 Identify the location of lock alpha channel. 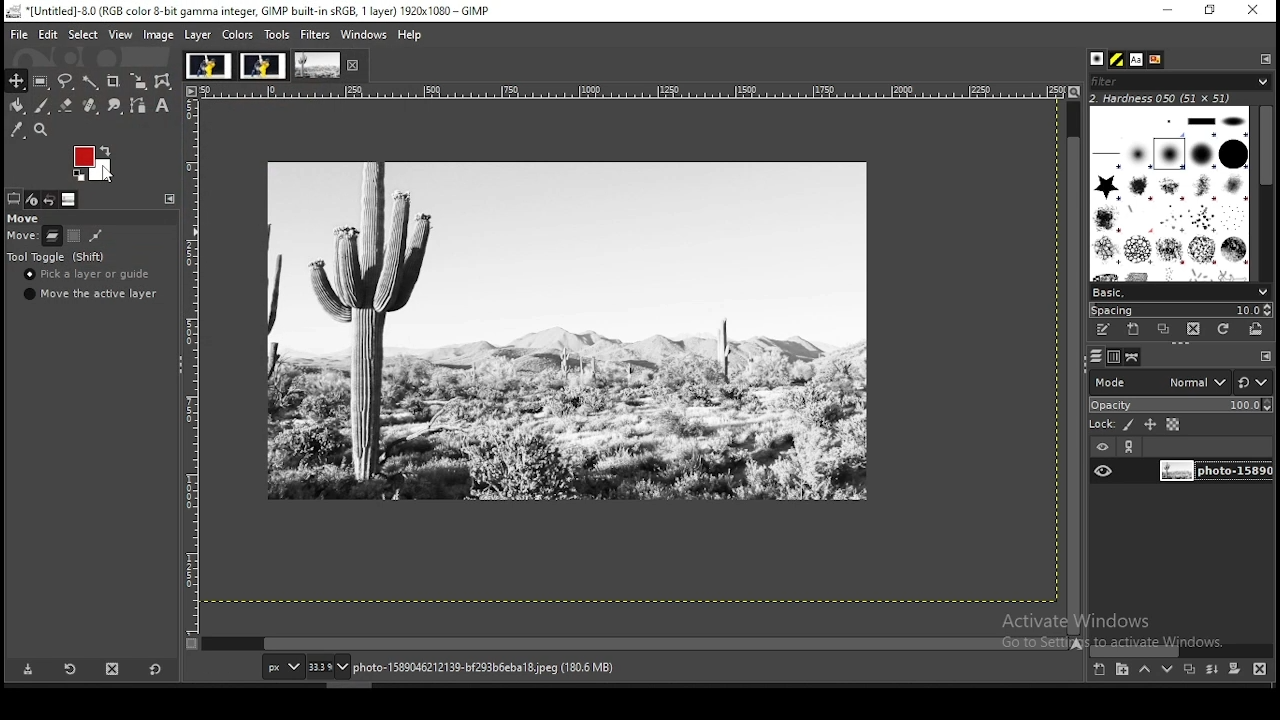
(1174, 424).